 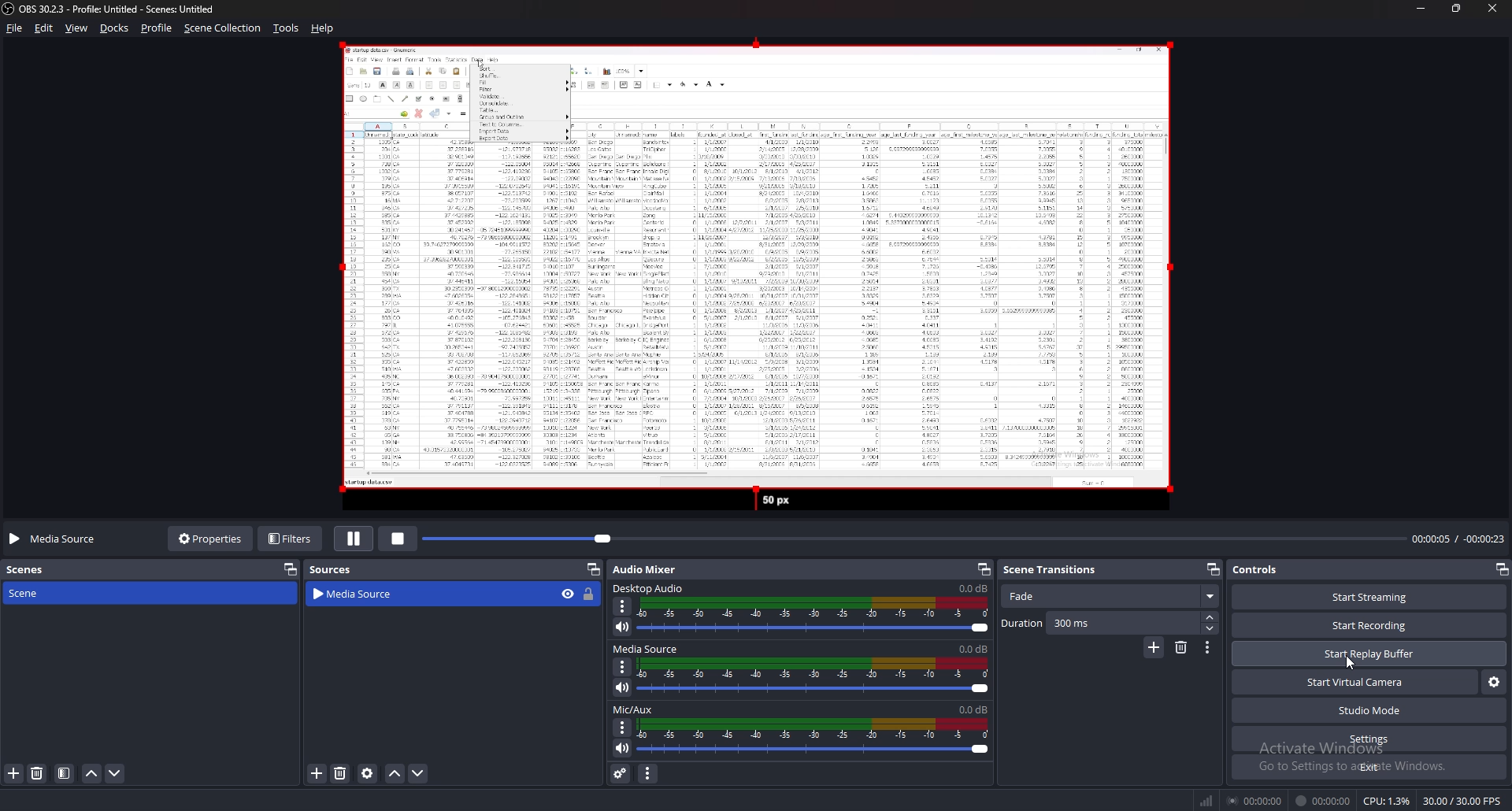 What do you see at coordinates (285, 28) in the screenshot?
I see `tools` at bounding box center [285, 28].